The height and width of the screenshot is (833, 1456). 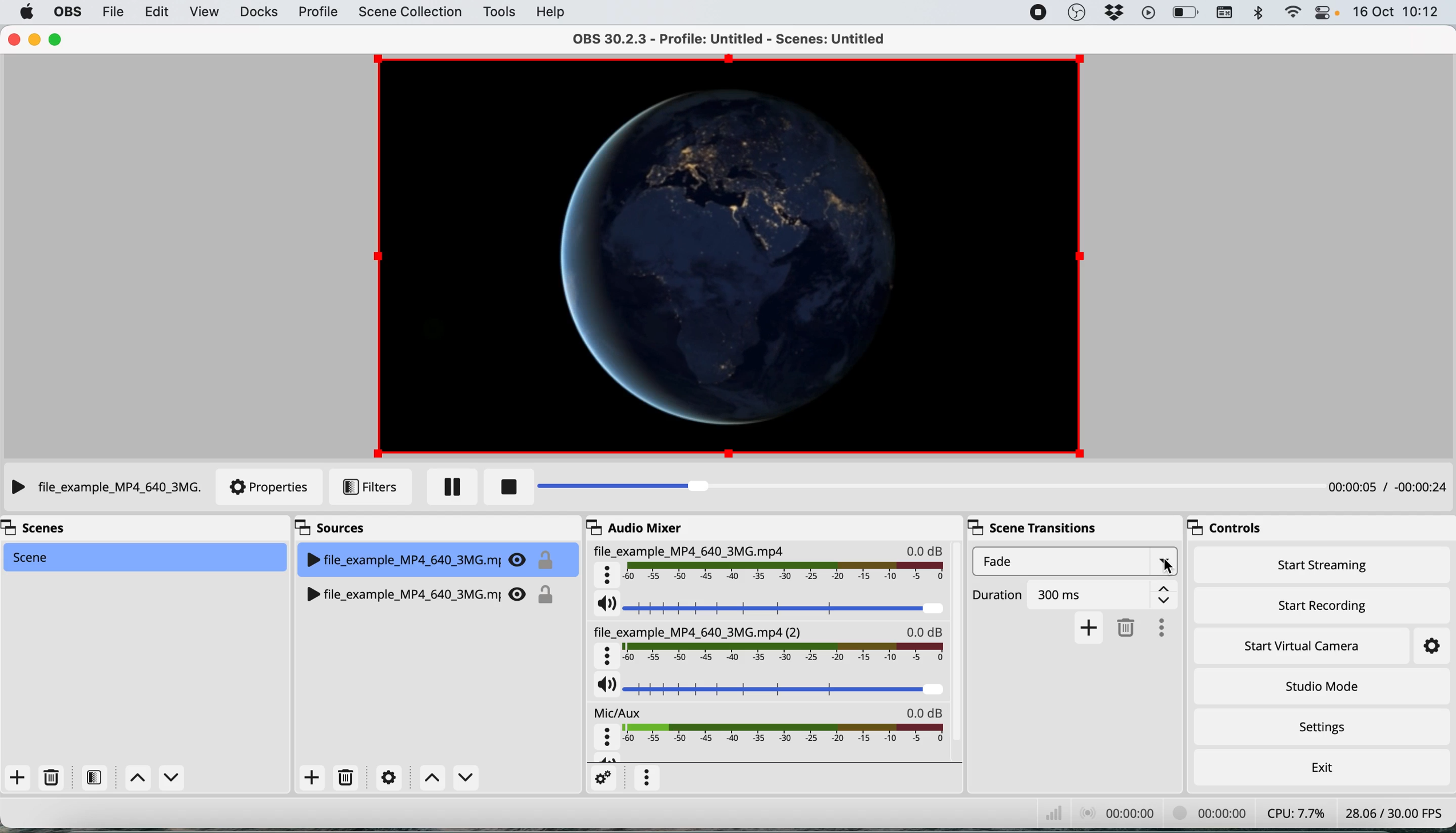 What do you see at coordinates (93, 777) in the screenshot?
I see `filters` at bounding box center [93, 777].